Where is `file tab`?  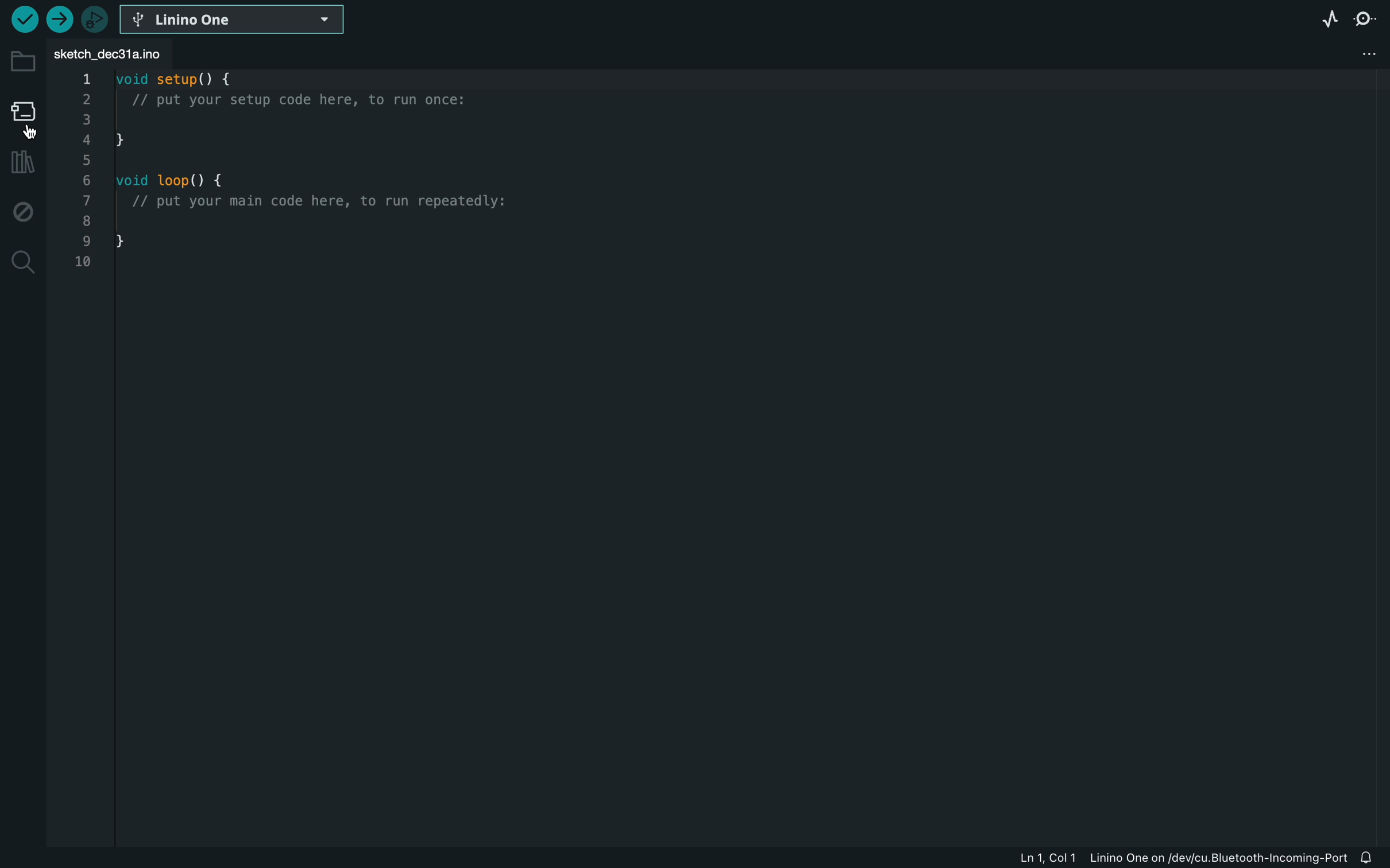 file tab is located at coordinates (130, 54).